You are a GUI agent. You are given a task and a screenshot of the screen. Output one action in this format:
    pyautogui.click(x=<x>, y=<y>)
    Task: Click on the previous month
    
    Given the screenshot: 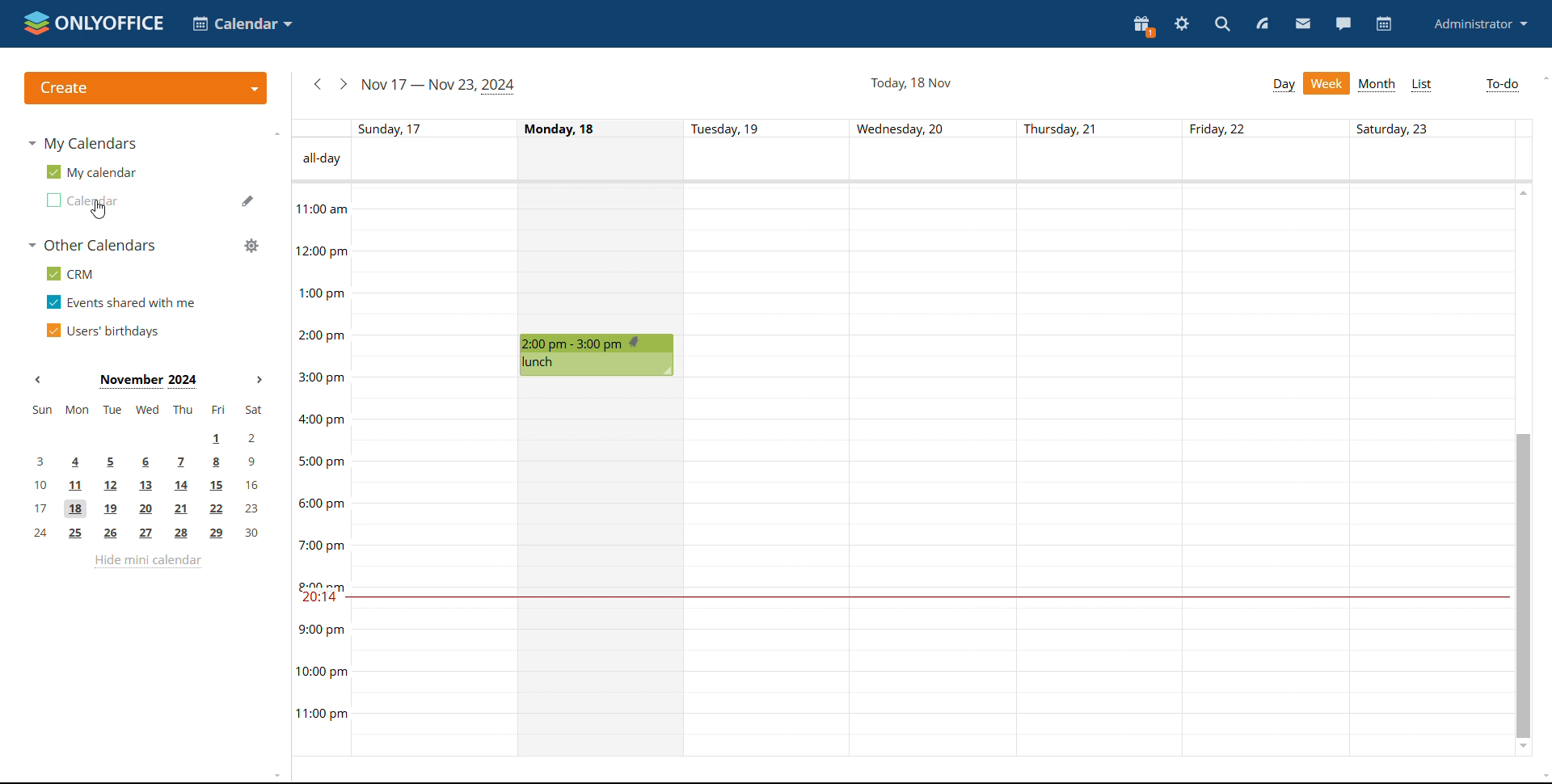 What is the action you would take?
    pyautogui.click(x=38, y=380)
    